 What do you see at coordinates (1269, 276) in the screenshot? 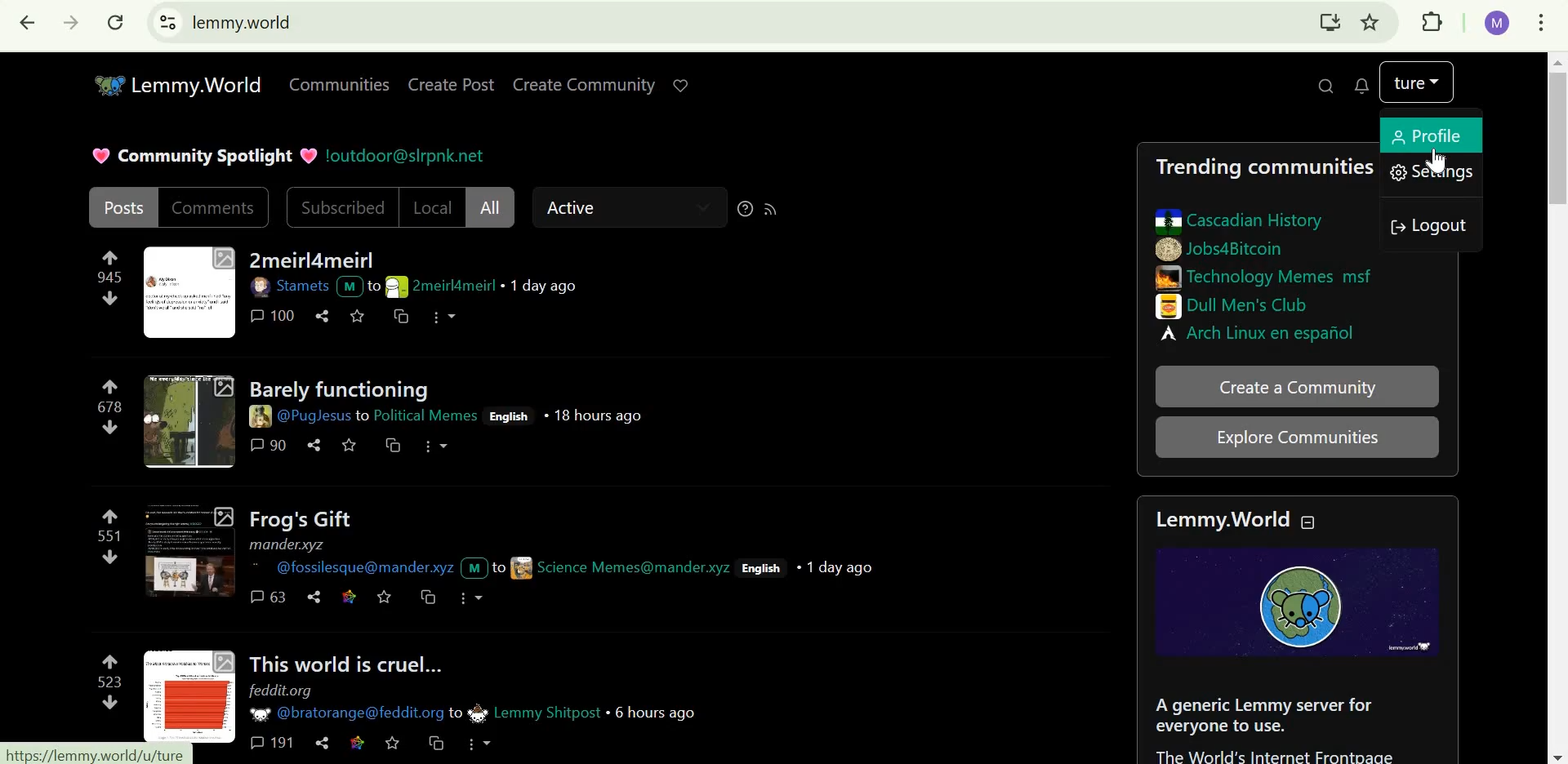
I see `technology memes msf` at bounding box center [1269, 276].